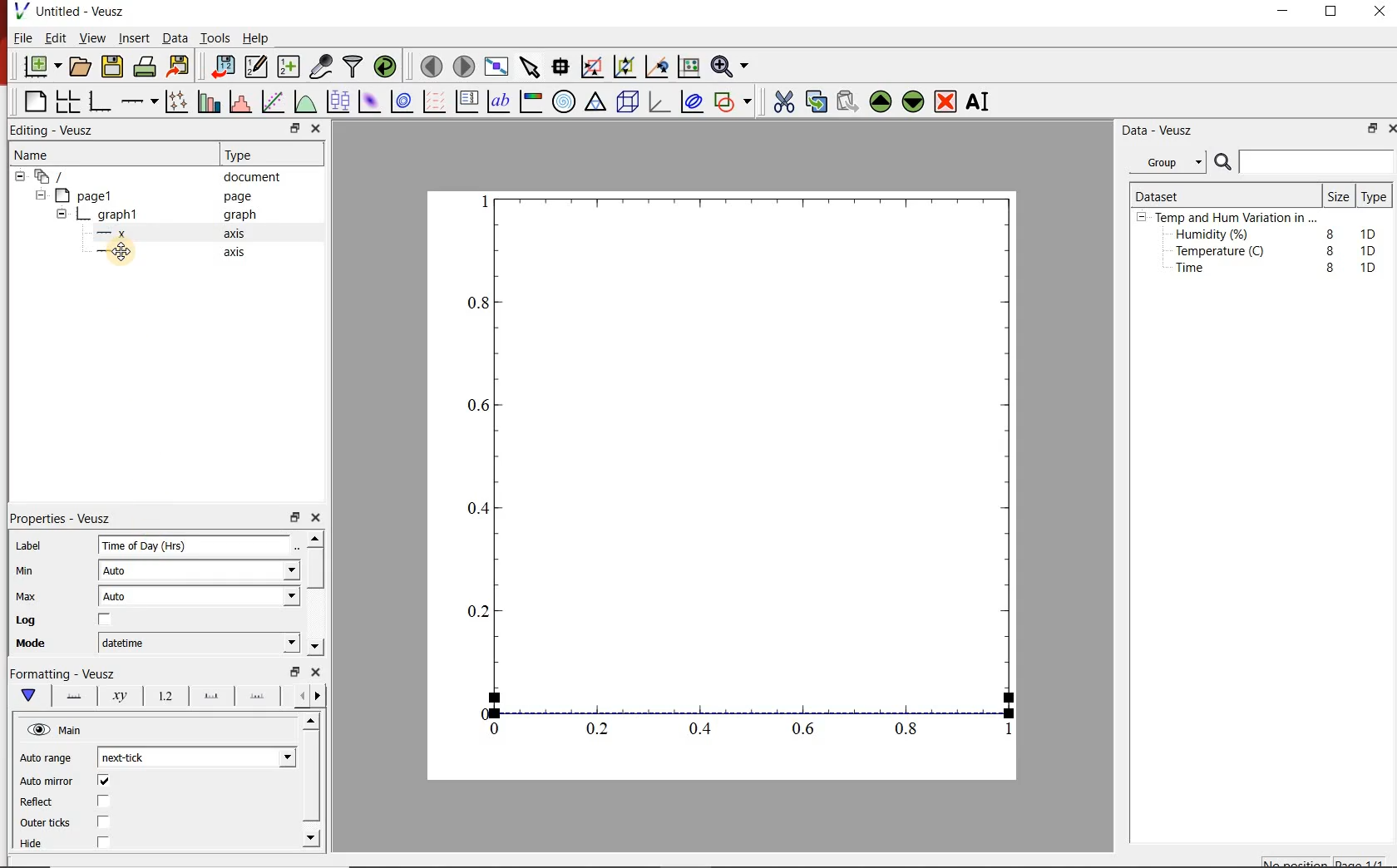  I want to click on Edit text, so click(300, 545).